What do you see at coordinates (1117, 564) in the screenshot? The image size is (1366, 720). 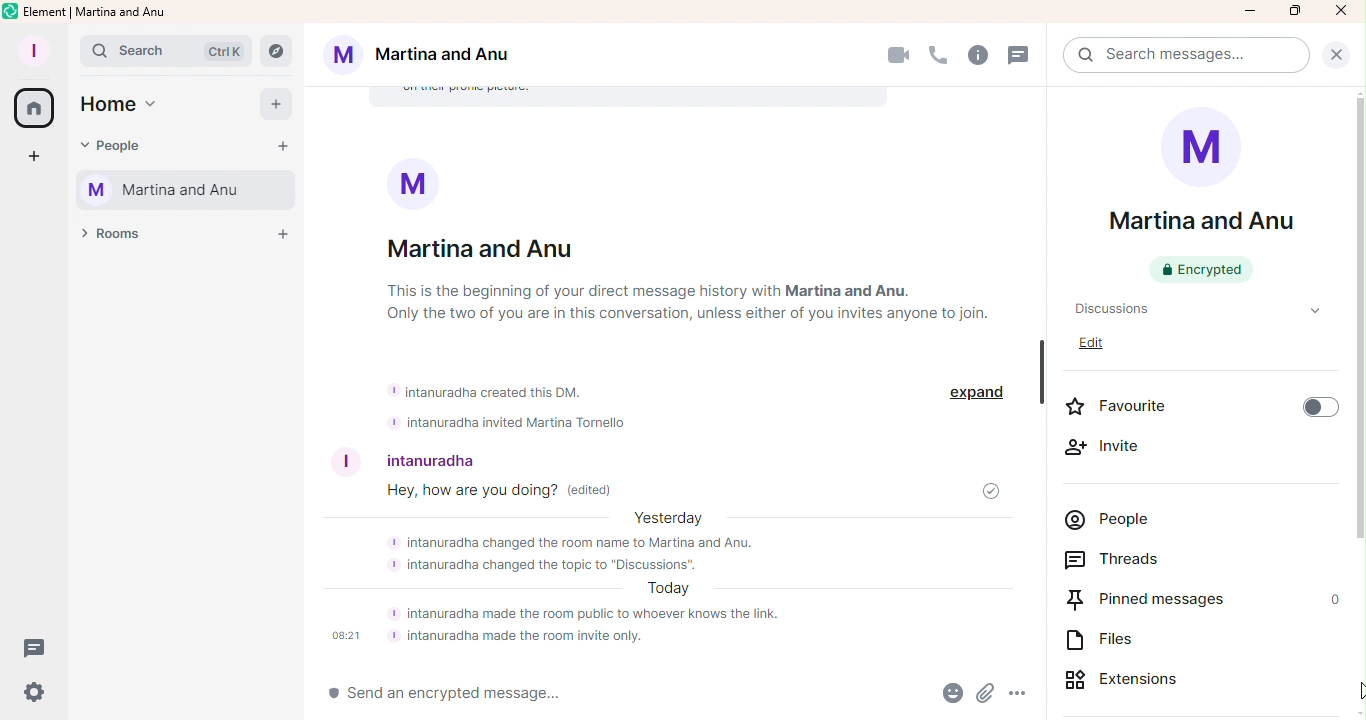 I see `Threads` at bounding box center [1117, 564].